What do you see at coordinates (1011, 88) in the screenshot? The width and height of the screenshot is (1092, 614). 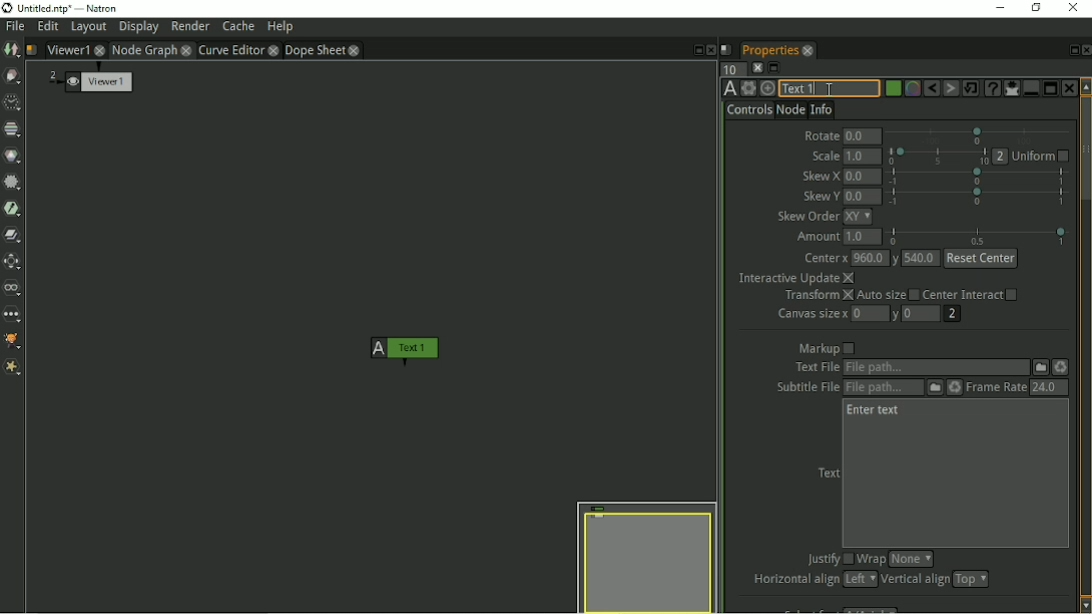 I see `Show/hide all parameters` at bounding box center [1011, 88].